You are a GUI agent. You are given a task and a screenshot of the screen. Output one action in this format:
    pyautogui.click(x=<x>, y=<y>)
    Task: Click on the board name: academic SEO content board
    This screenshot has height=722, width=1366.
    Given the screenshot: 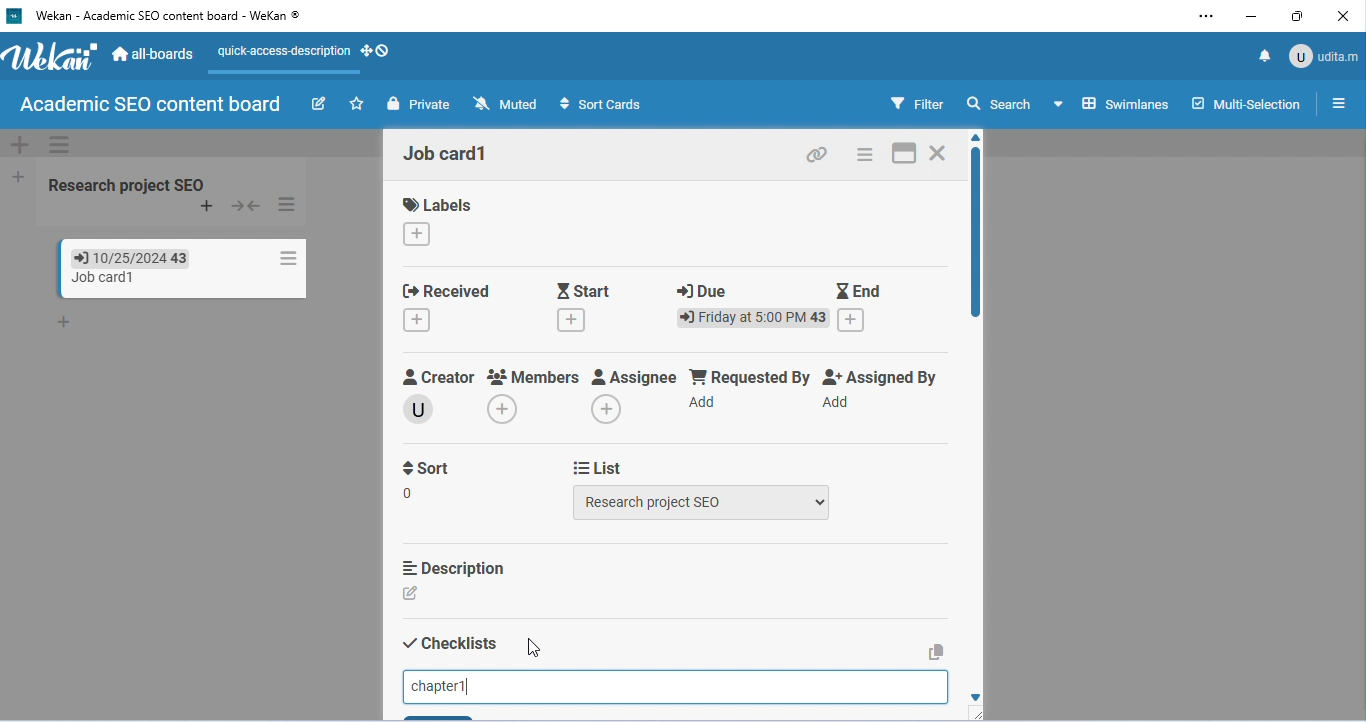 What is the action you would take?
    pyautogui.click(x=150, y=105)
    